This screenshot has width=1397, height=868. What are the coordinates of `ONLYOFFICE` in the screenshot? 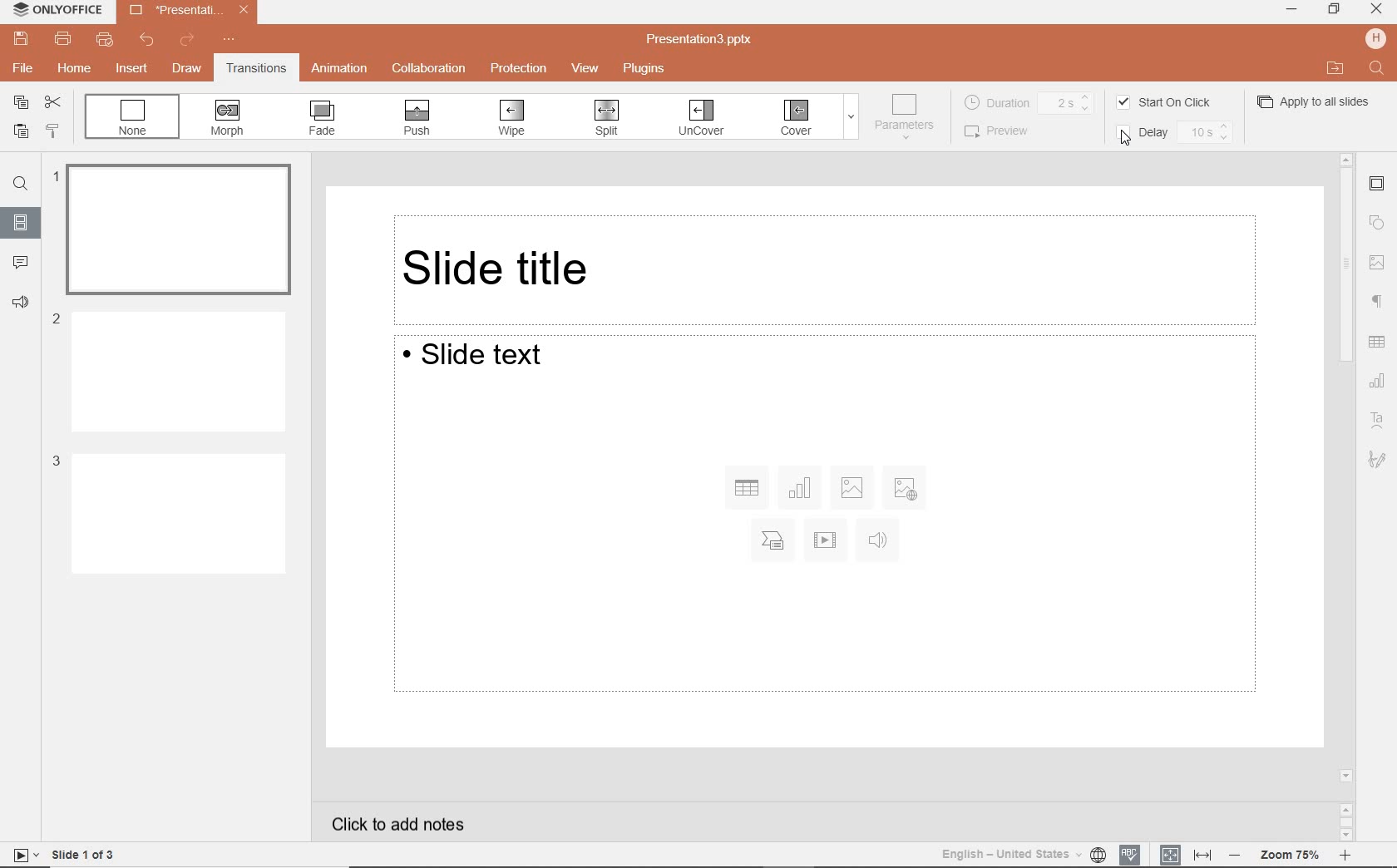 It's located at (53, 9).